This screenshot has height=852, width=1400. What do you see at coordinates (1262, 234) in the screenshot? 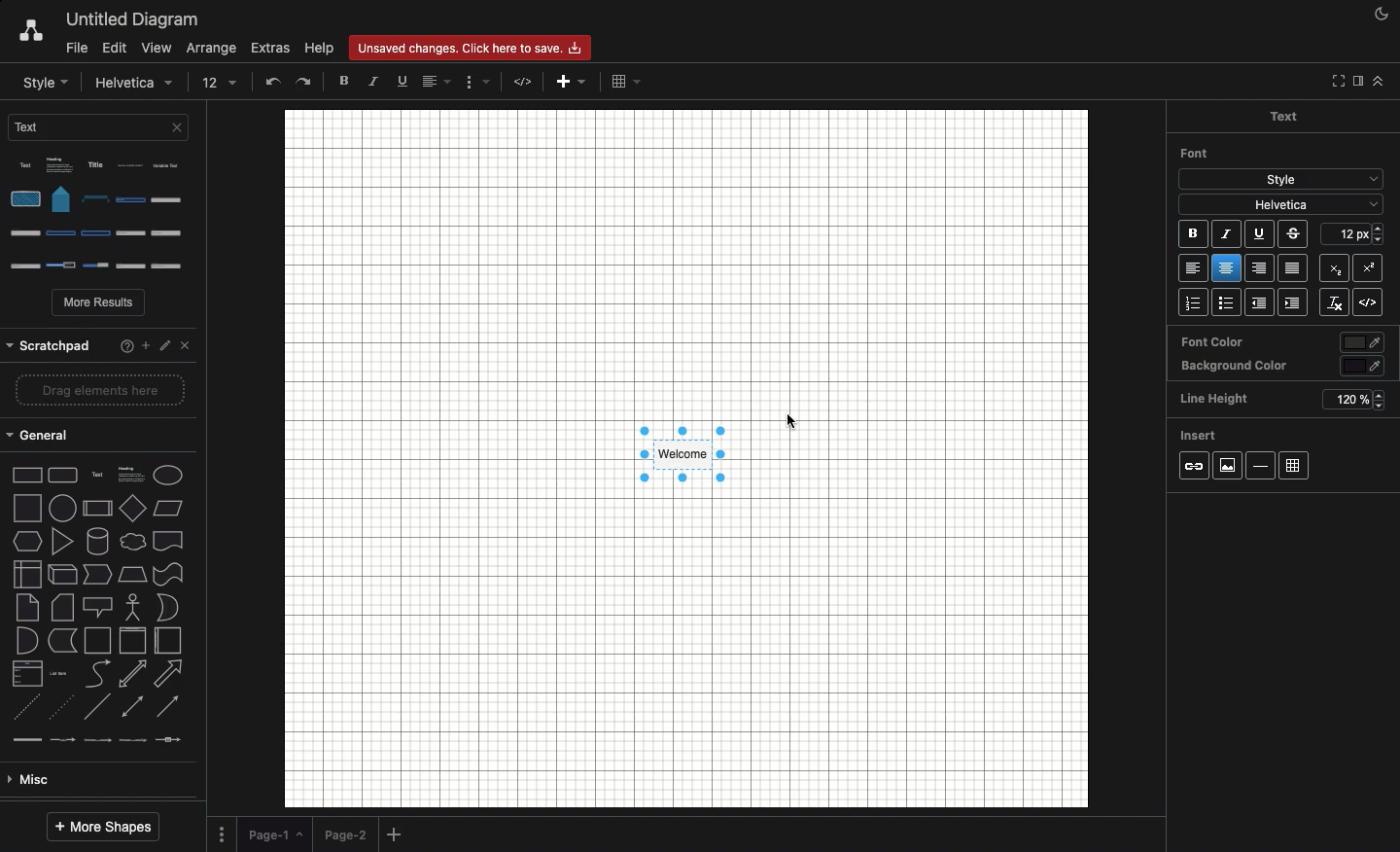
I see `Underline` at bounding box center [1262, 234].